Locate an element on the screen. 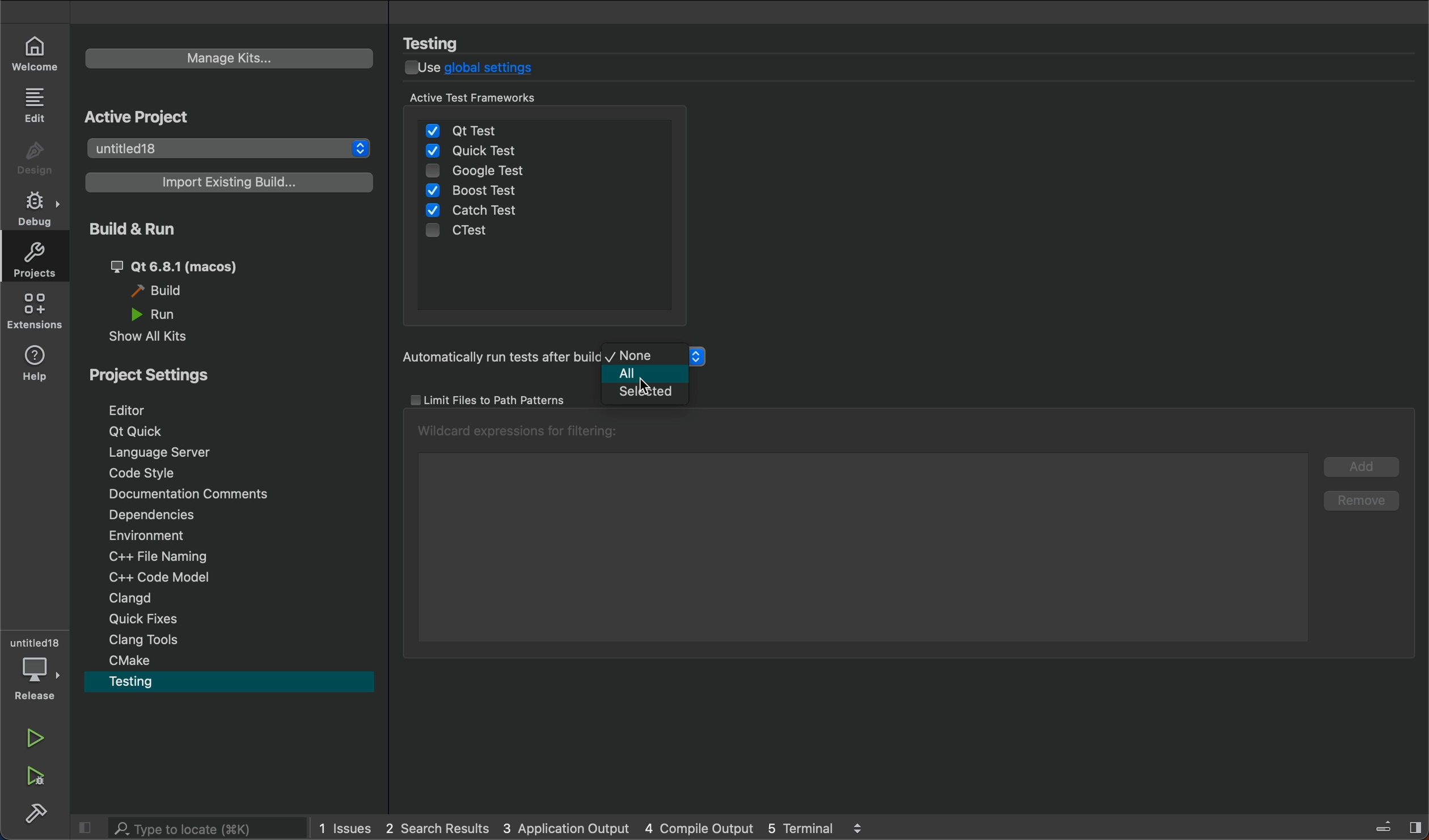 Image resolution: width=1429 pixels, height=840 pixels. manage kits is located at coordinates (231, 58).